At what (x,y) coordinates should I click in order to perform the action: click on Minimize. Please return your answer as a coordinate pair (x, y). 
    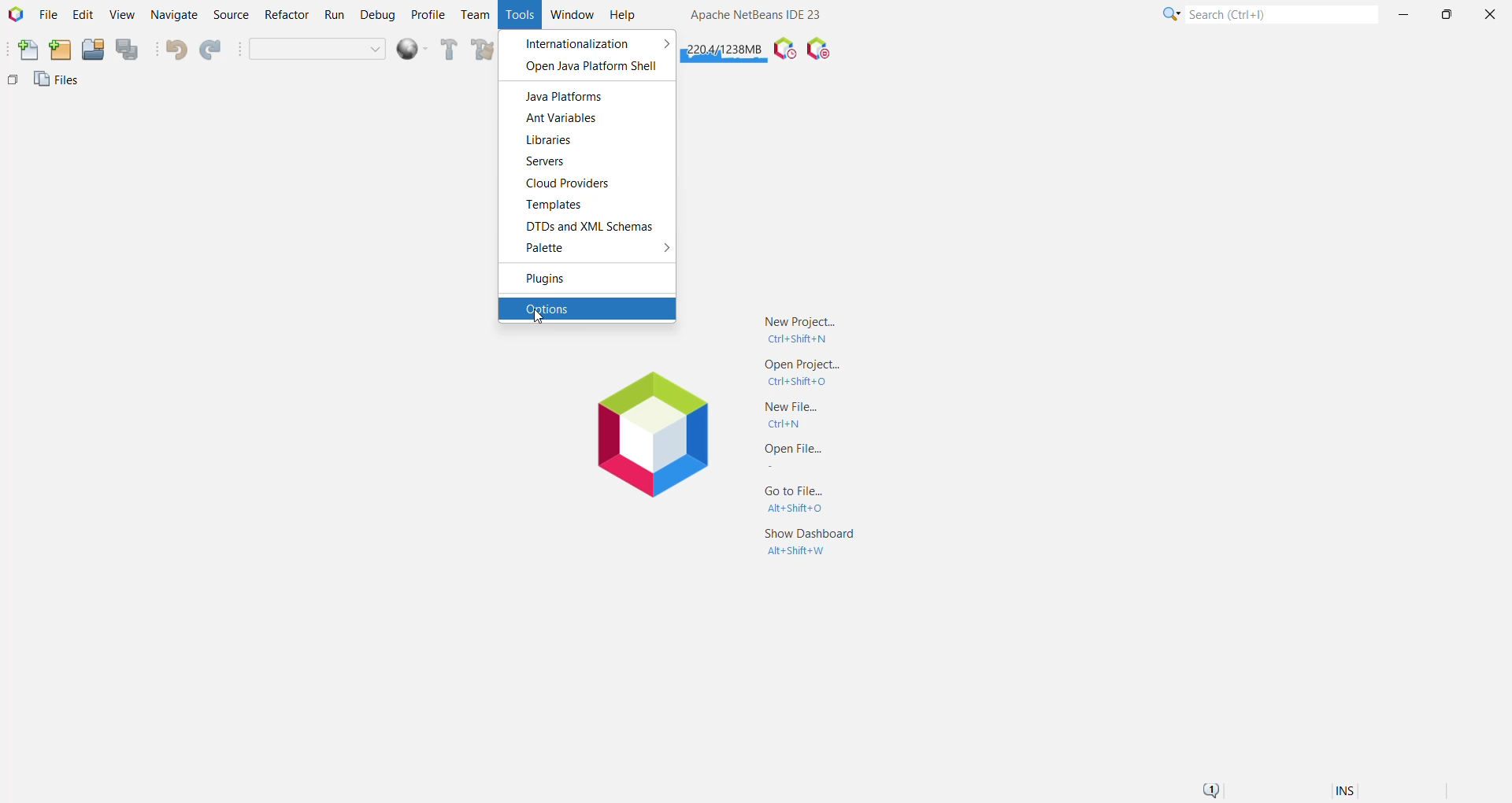
    Looking at the image, I should click on (1406, 14).